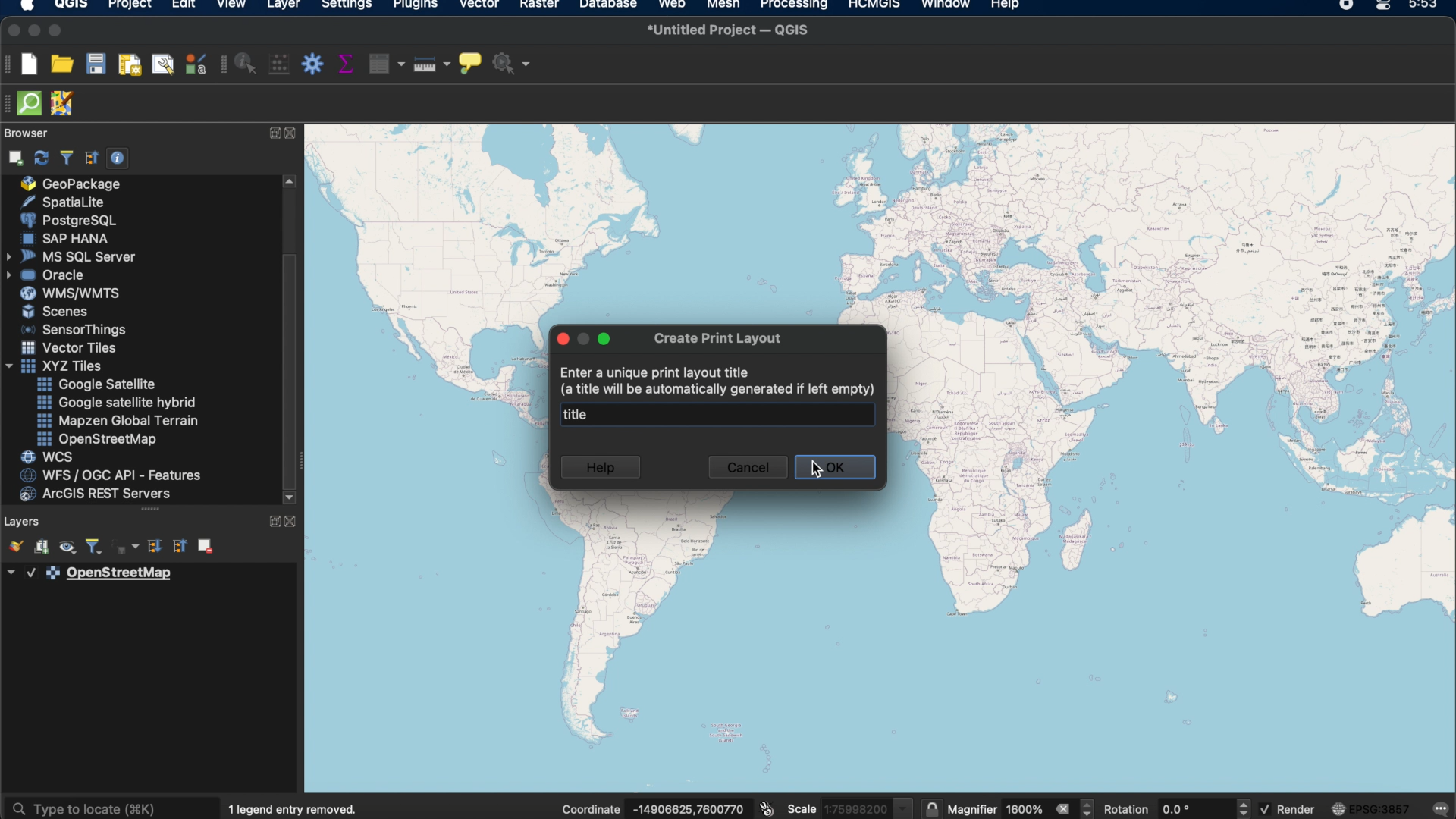  Describe the element at coordinates (277, 62) in the screenshot. I see `open field calculator` at that location.